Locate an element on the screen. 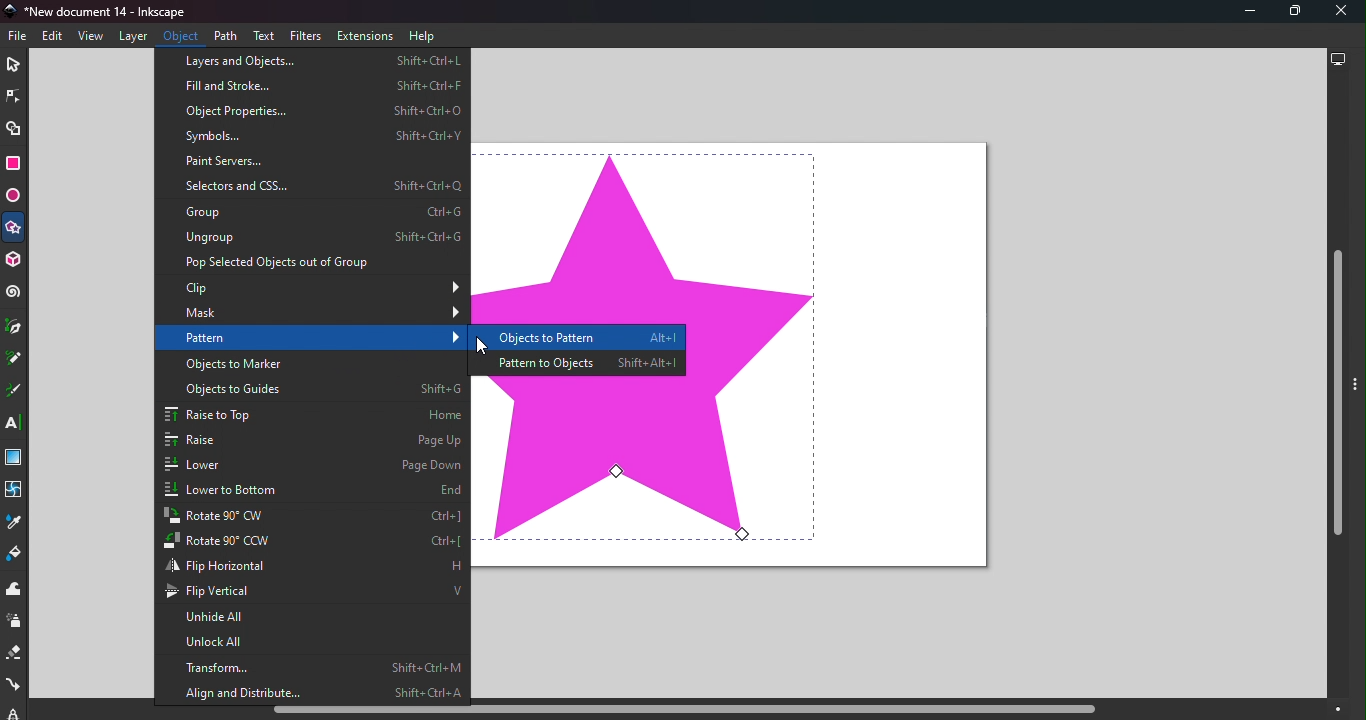 Image resolution: width=1366 pixels, height=720 pixels. Connector tool is located at coordinates (13, 687).